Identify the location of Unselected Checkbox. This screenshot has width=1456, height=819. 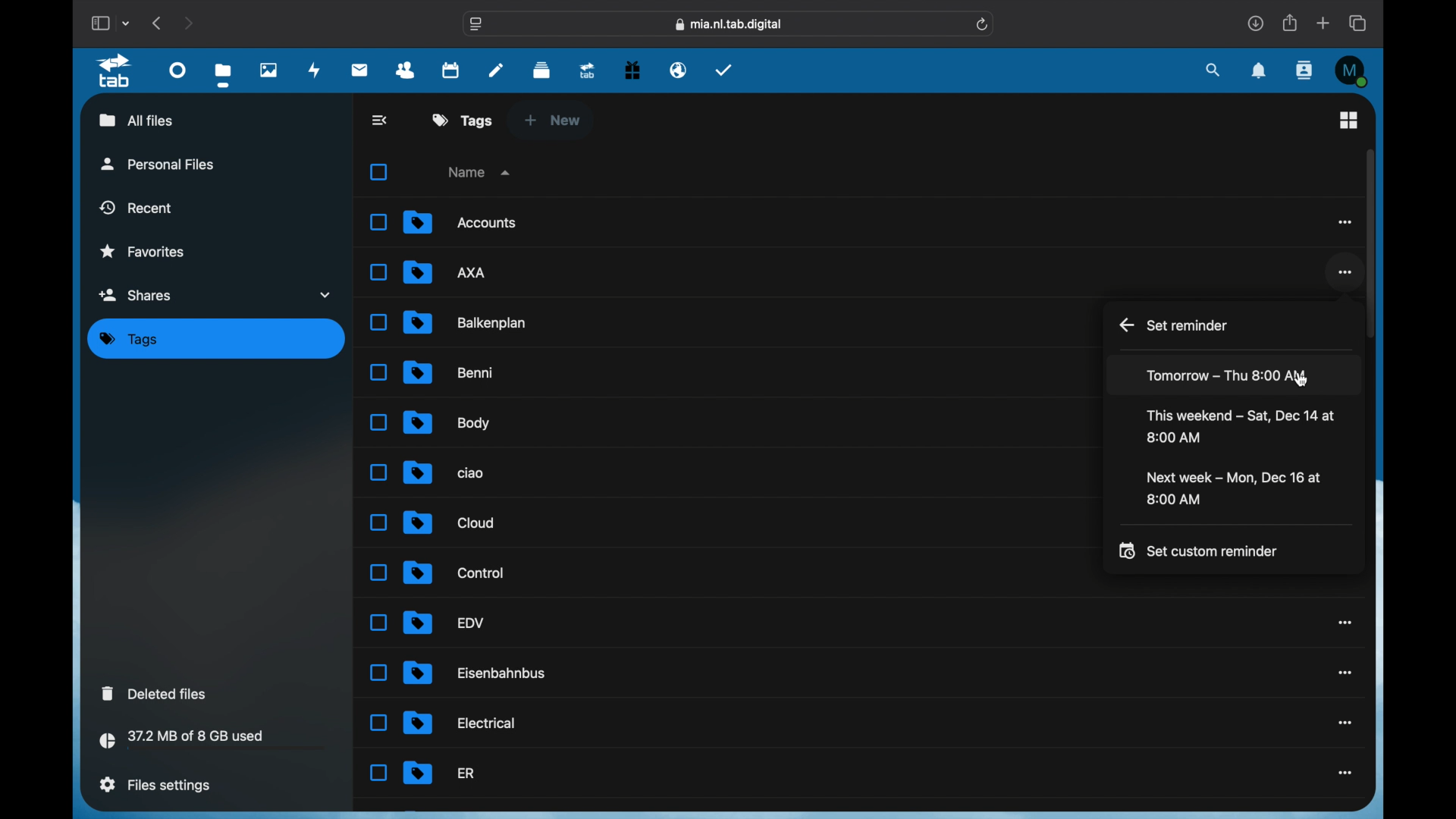
(377, 572).